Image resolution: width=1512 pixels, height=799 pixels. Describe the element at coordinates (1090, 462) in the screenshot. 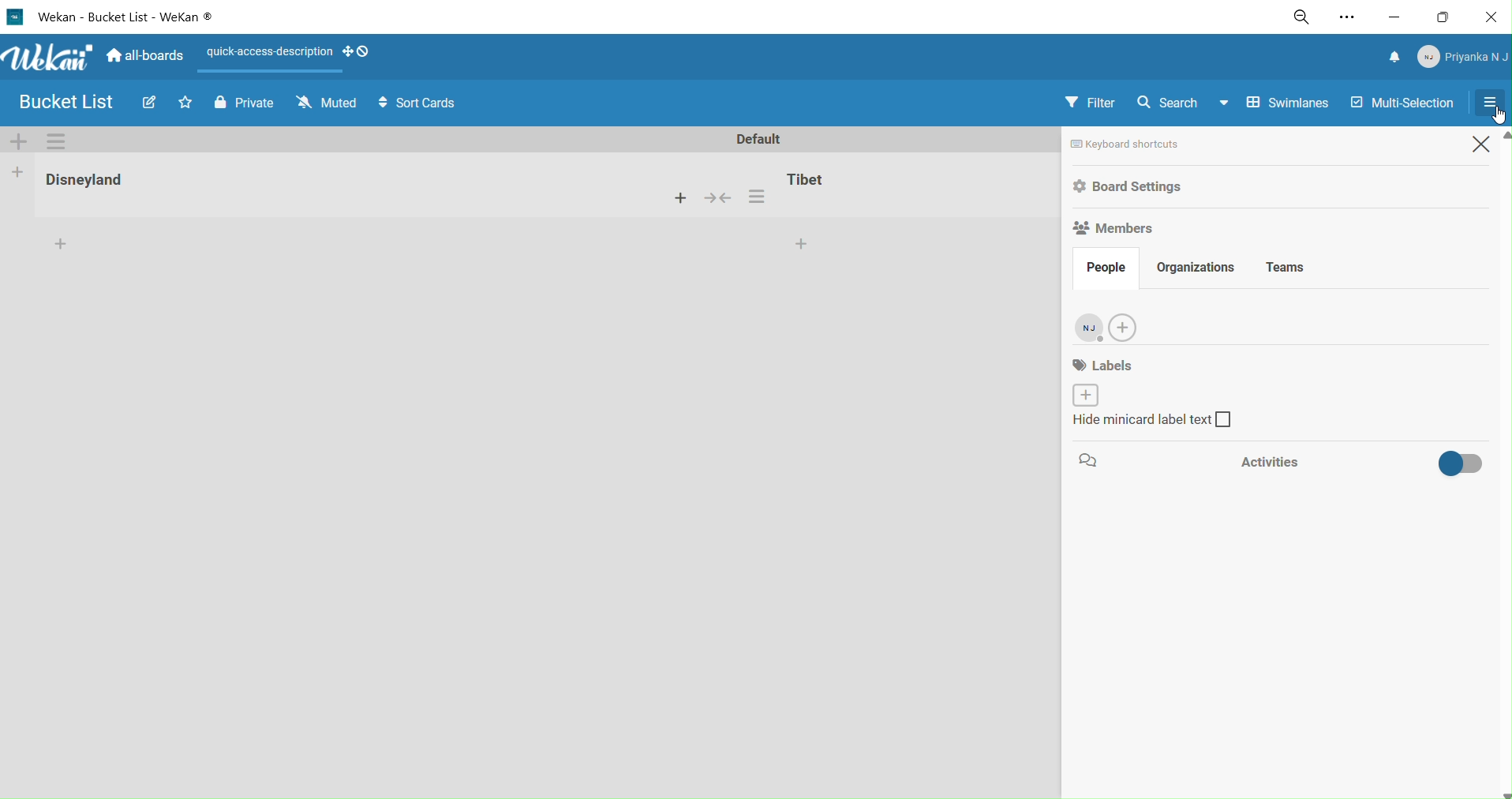

I see `comment` at that location.